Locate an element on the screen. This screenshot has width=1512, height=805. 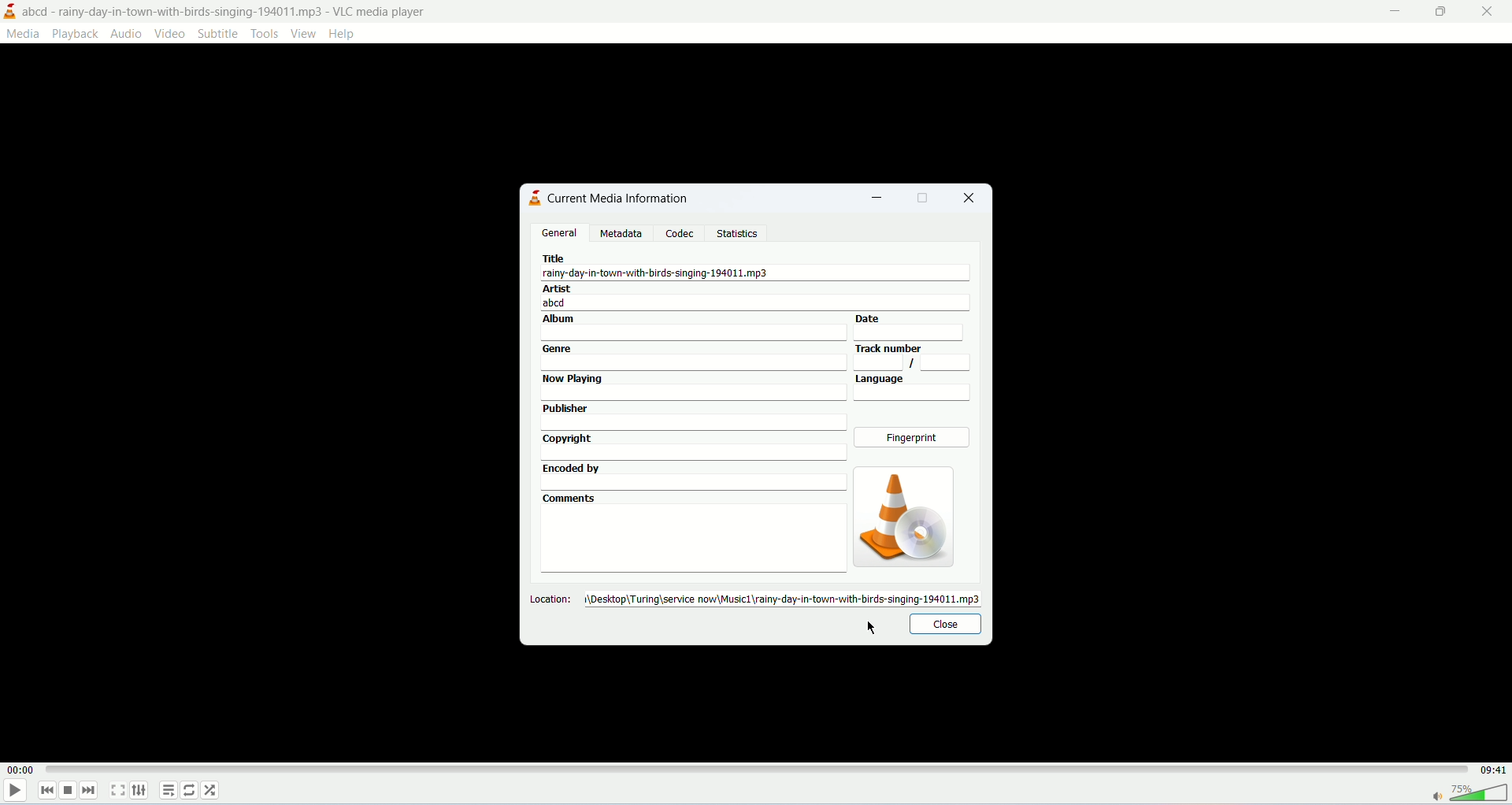
maximize is located at coordinates (1442, 14).